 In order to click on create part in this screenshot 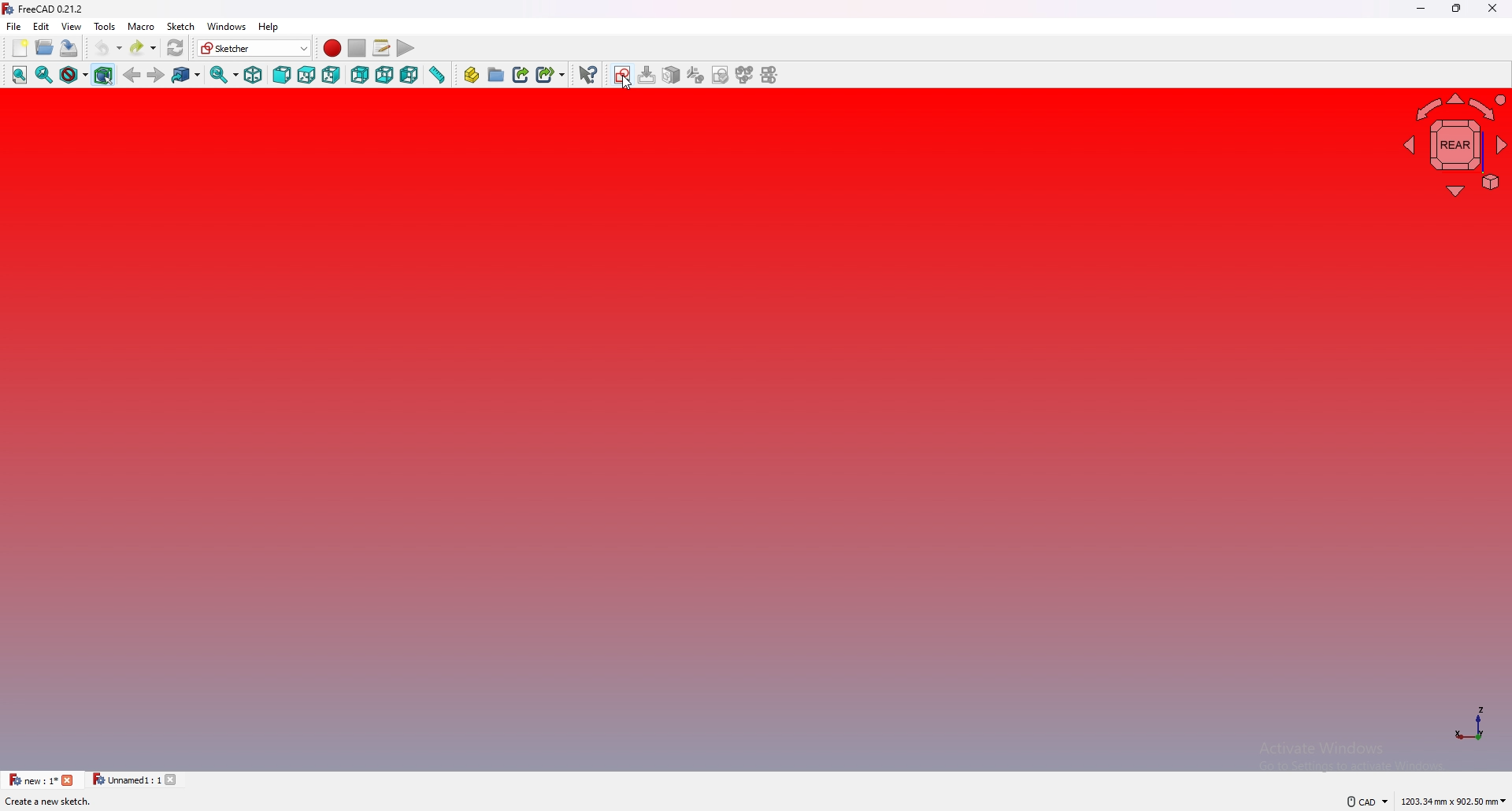, I will do `click(471, 75)`.